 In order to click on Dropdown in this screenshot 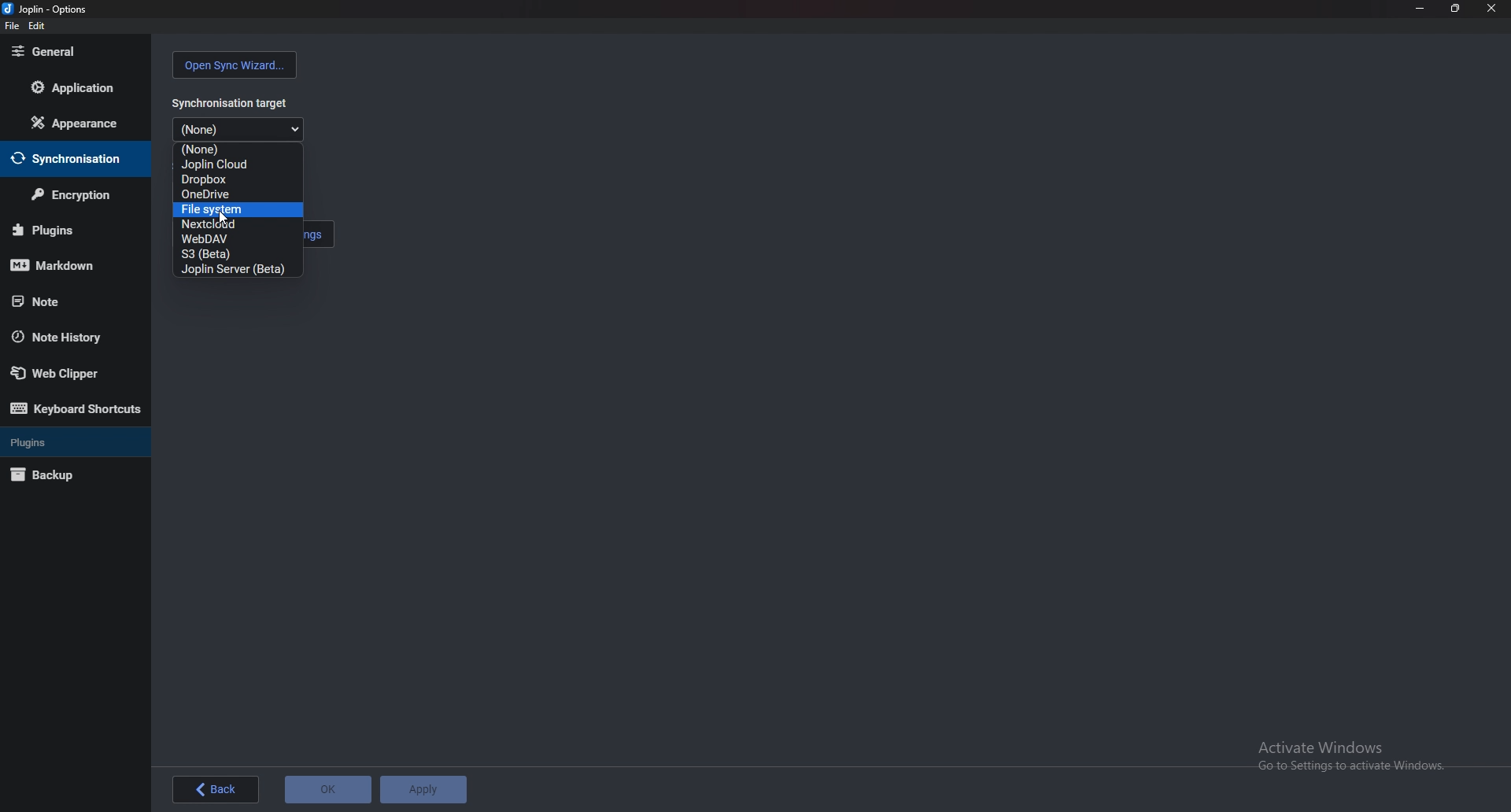, I will do `click(239, 129)`.